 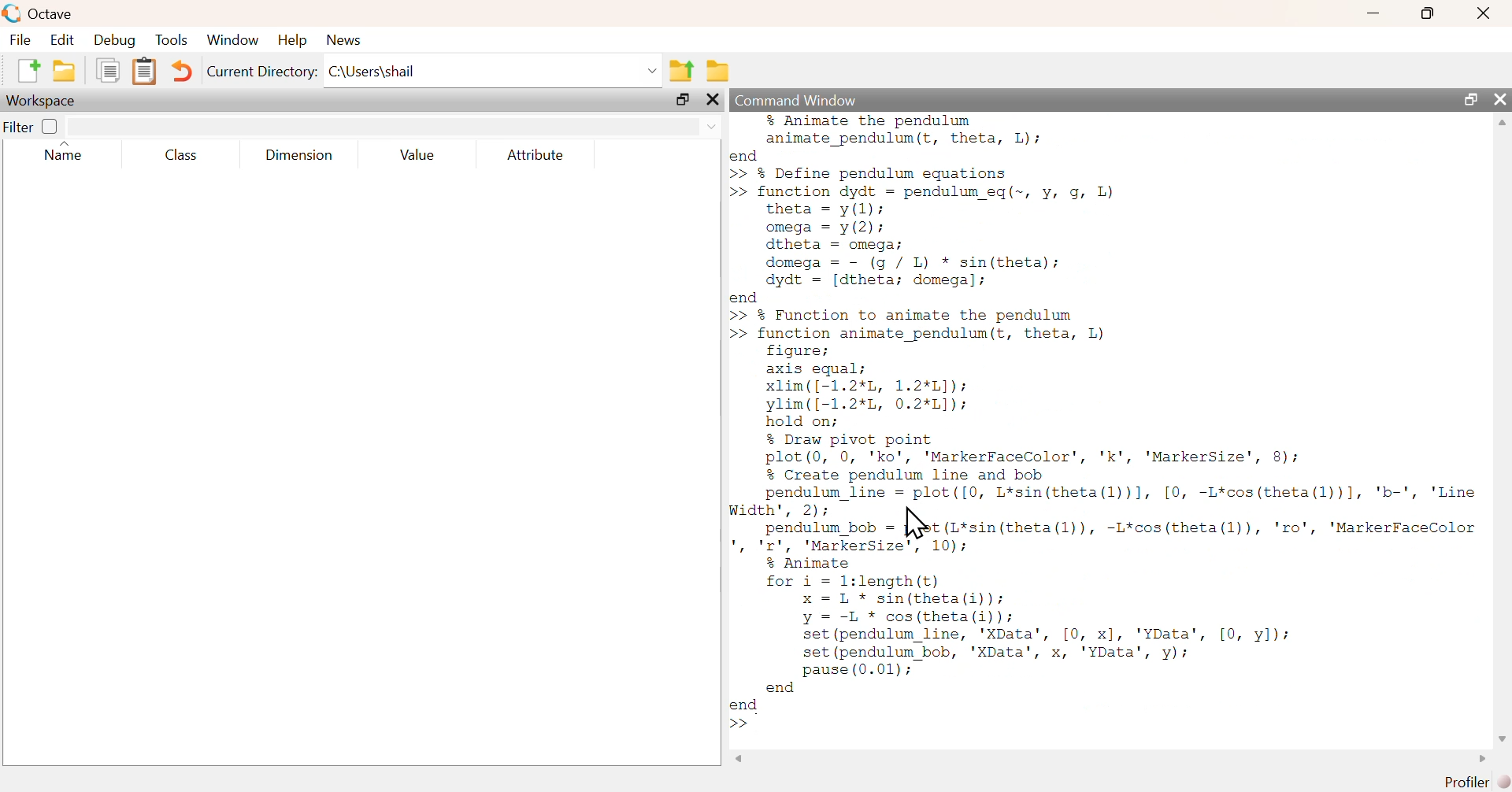 What do you see at coordinates (177, 156) in the screenshot?
I see `Class` at bounding box center [177, 156].